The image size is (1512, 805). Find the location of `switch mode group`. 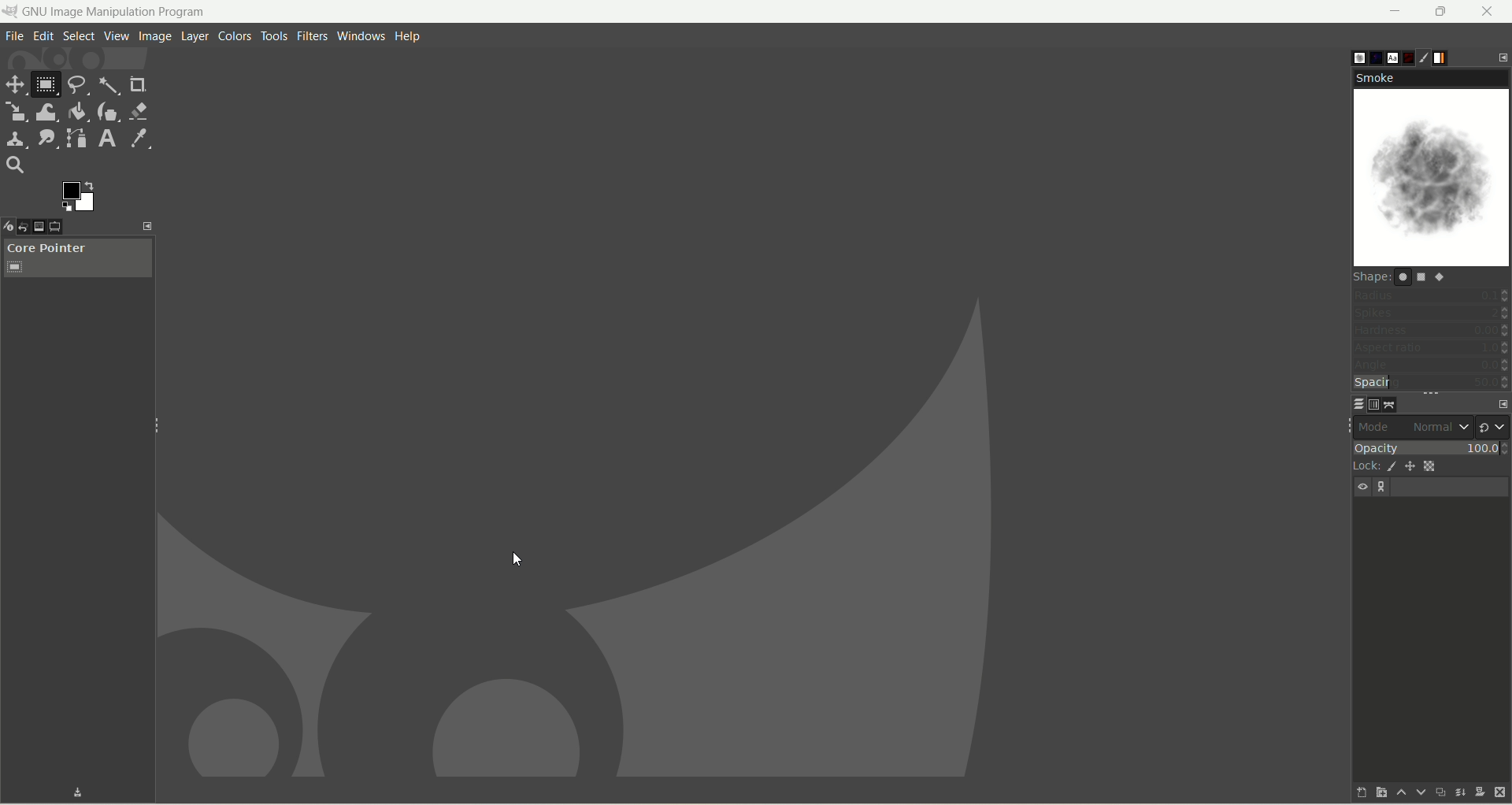

switch mode group is located at coordinates (1493, 423).